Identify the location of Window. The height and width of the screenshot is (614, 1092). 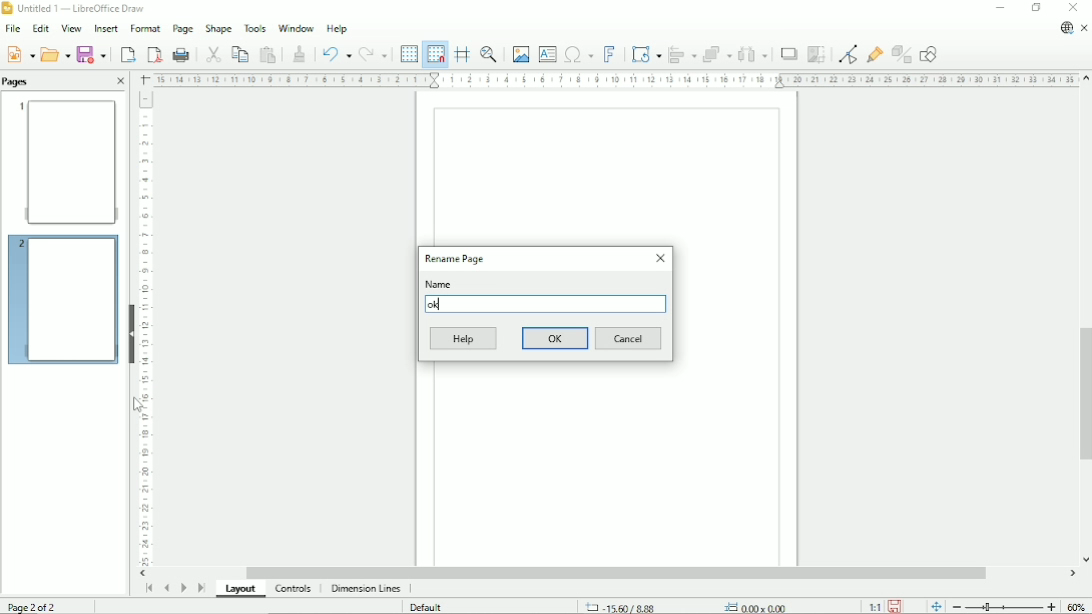
(296, 26).